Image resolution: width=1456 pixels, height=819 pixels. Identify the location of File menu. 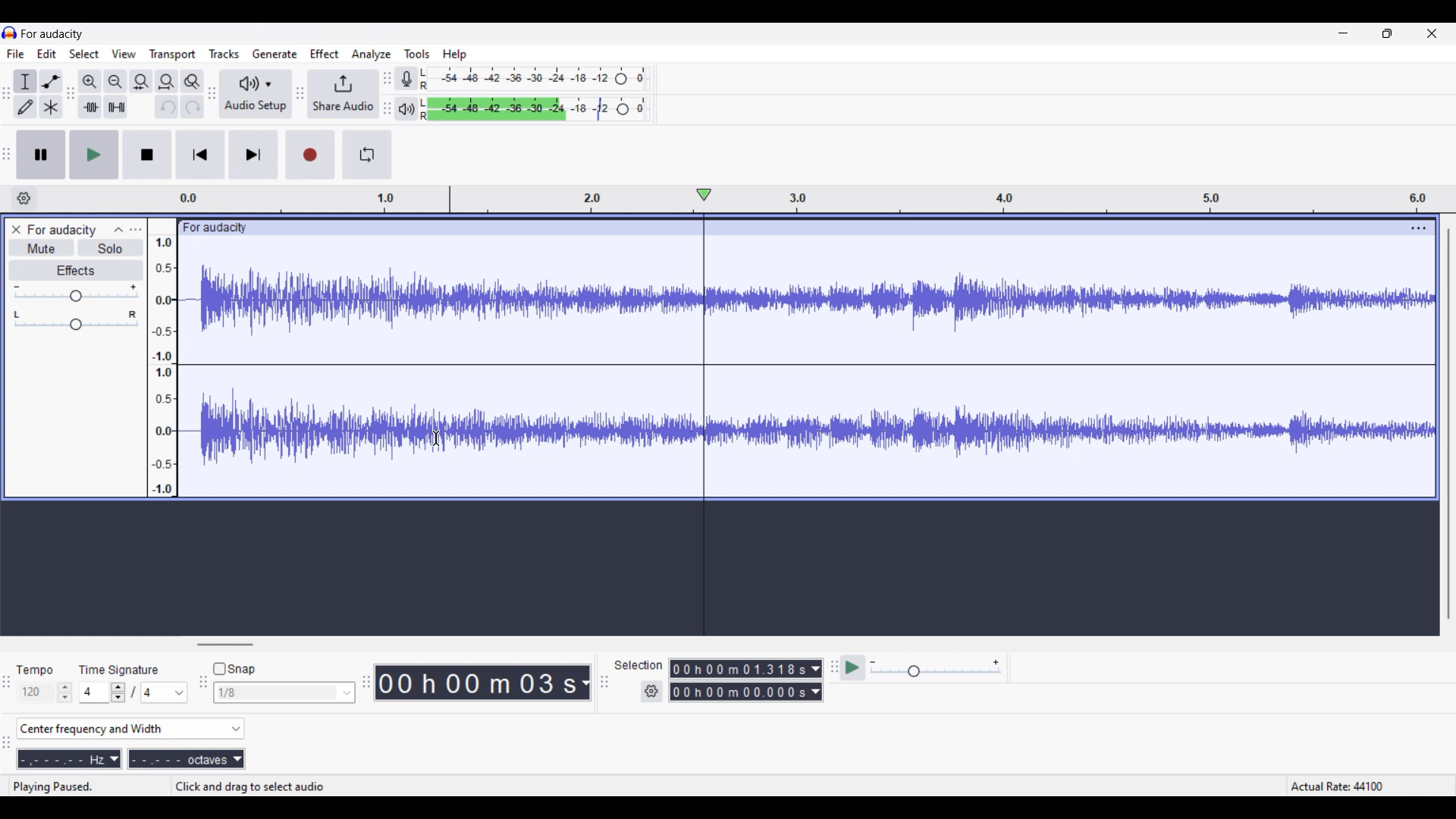
(16, 54).